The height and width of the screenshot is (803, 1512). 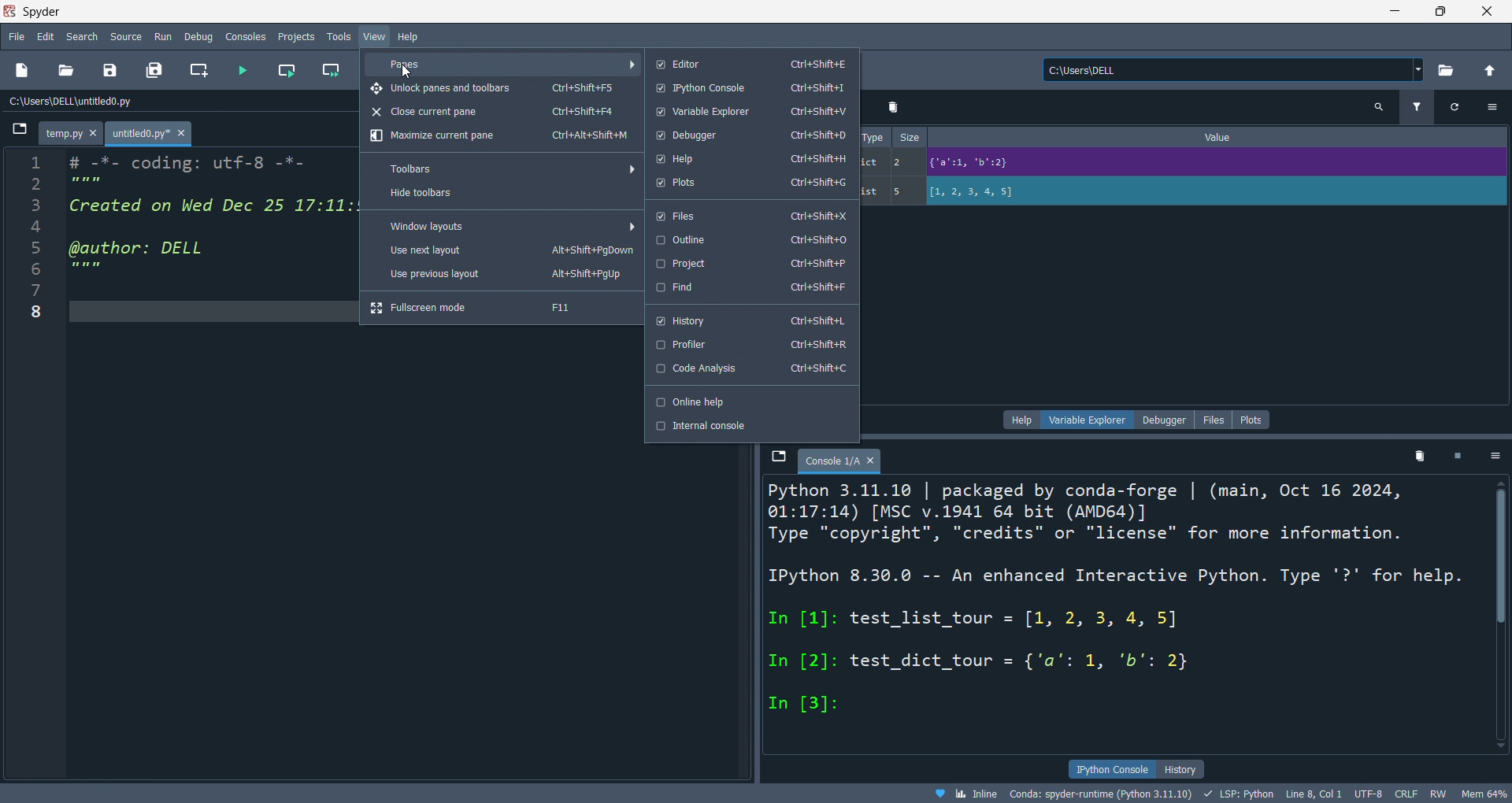 What do you see at coordinates (873, 136) in the screenshot?
I see `type` at bounding box center [873, 136].